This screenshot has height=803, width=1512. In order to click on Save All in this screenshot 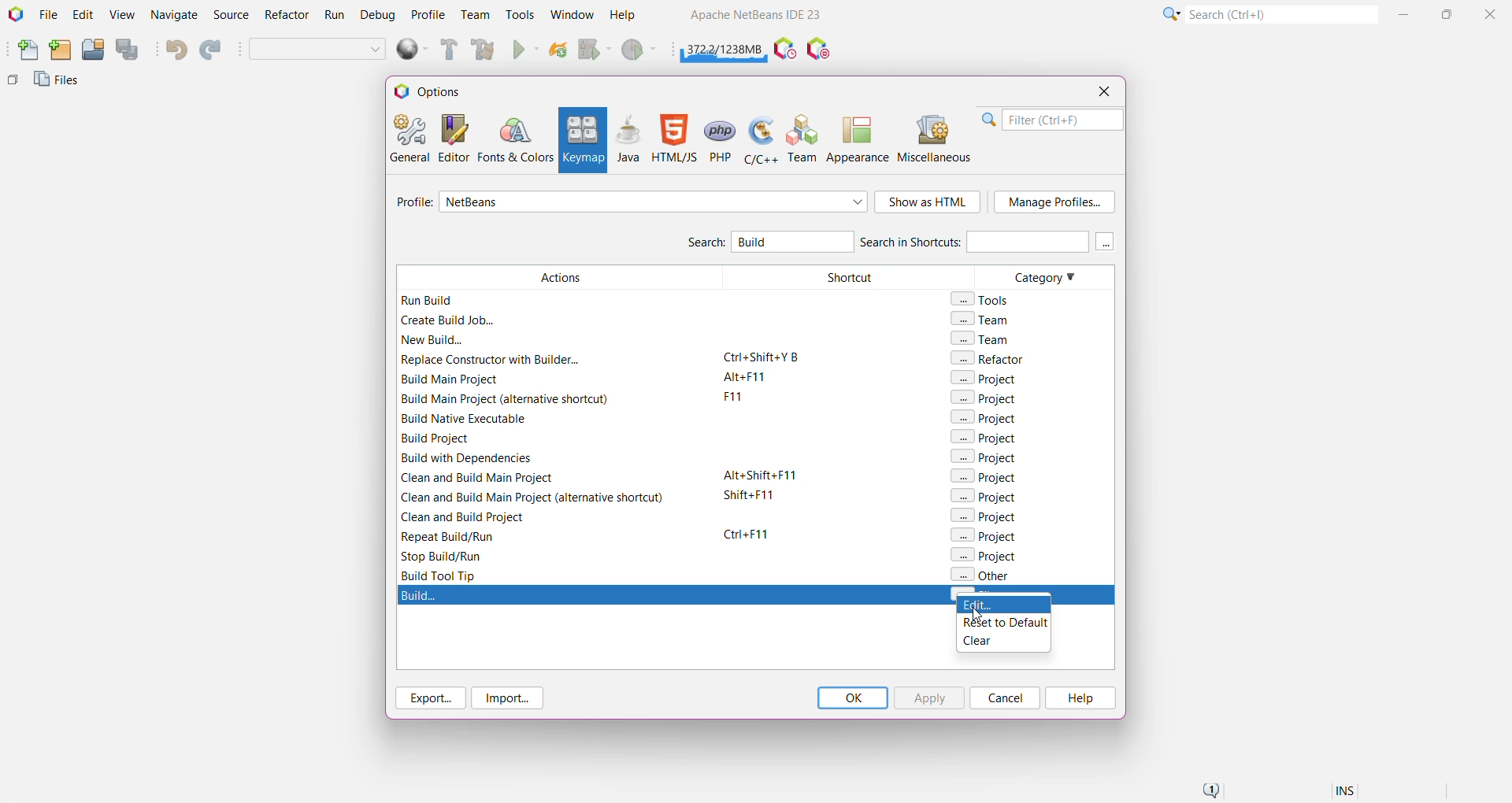, I will do `click(128, 50)`.